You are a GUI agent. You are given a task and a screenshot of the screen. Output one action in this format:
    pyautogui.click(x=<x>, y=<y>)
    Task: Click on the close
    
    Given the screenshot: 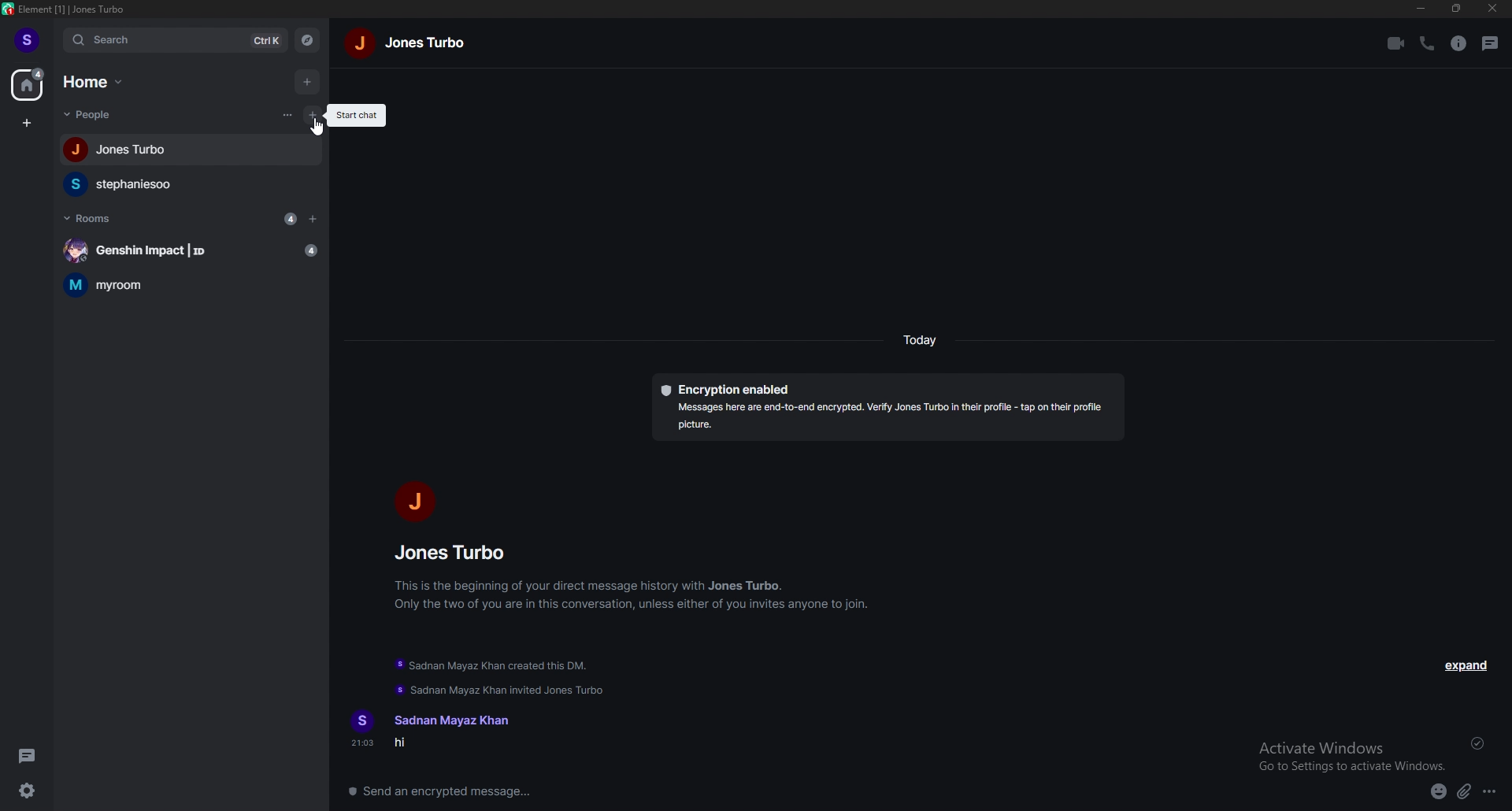 What is the action you would take?
    pyautogui.click(x=1491, y=8)
    